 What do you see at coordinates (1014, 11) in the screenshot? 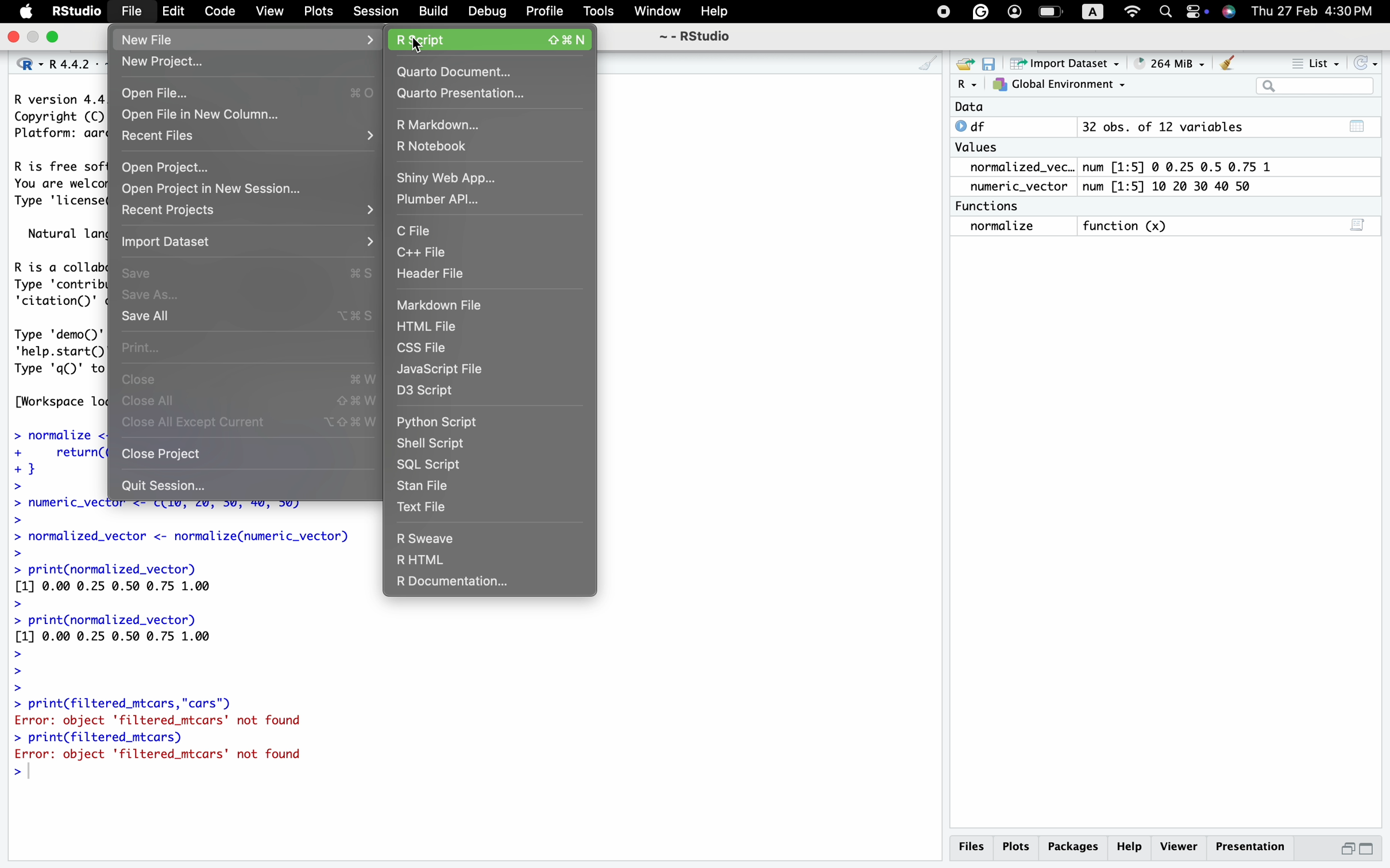
I see `profile` at bounding box center [1014, 11].